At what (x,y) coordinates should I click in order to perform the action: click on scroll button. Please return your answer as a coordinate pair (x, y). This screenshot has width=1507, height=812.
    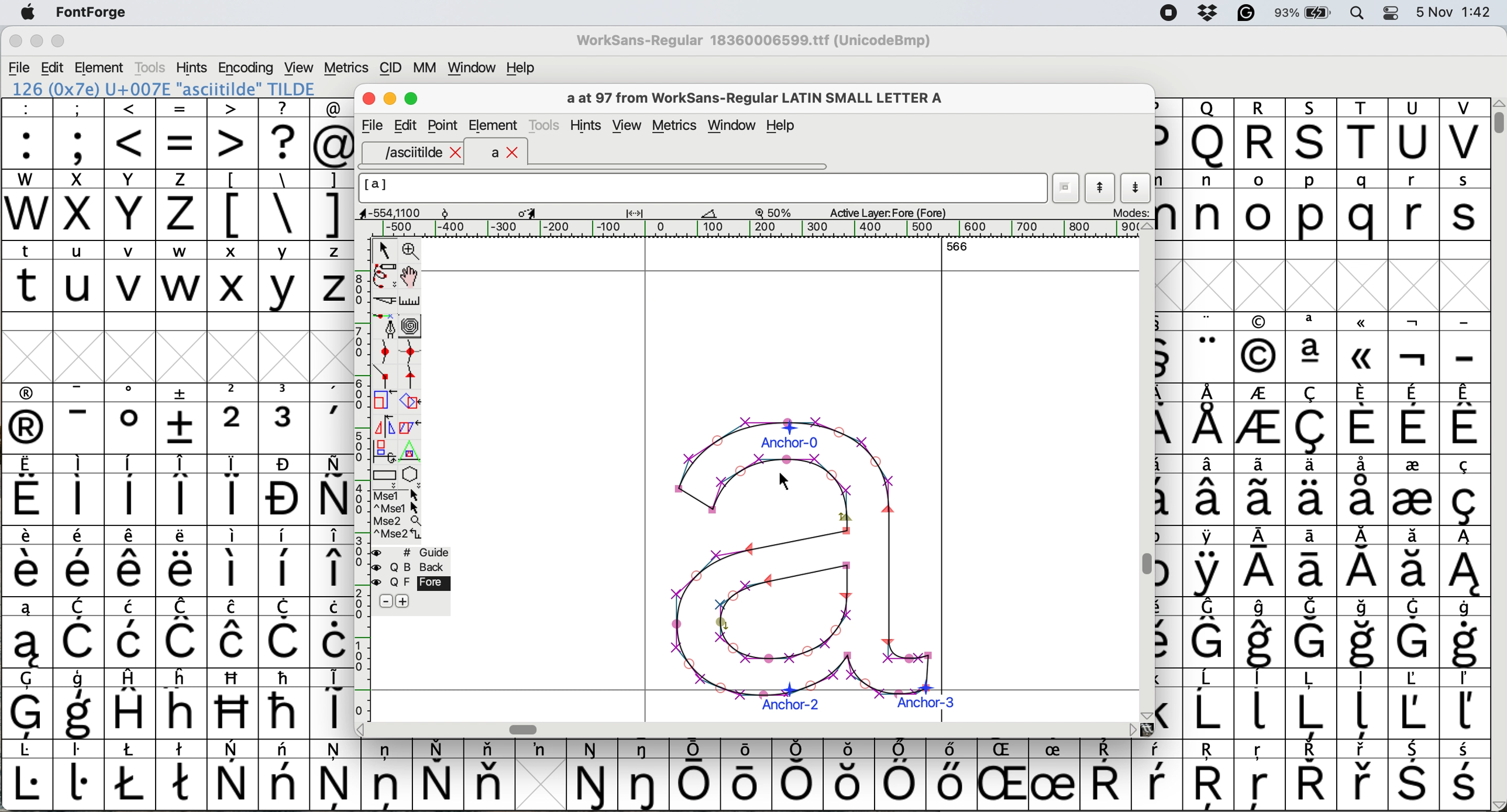
    Looking at the image, I should click on (362, 728).